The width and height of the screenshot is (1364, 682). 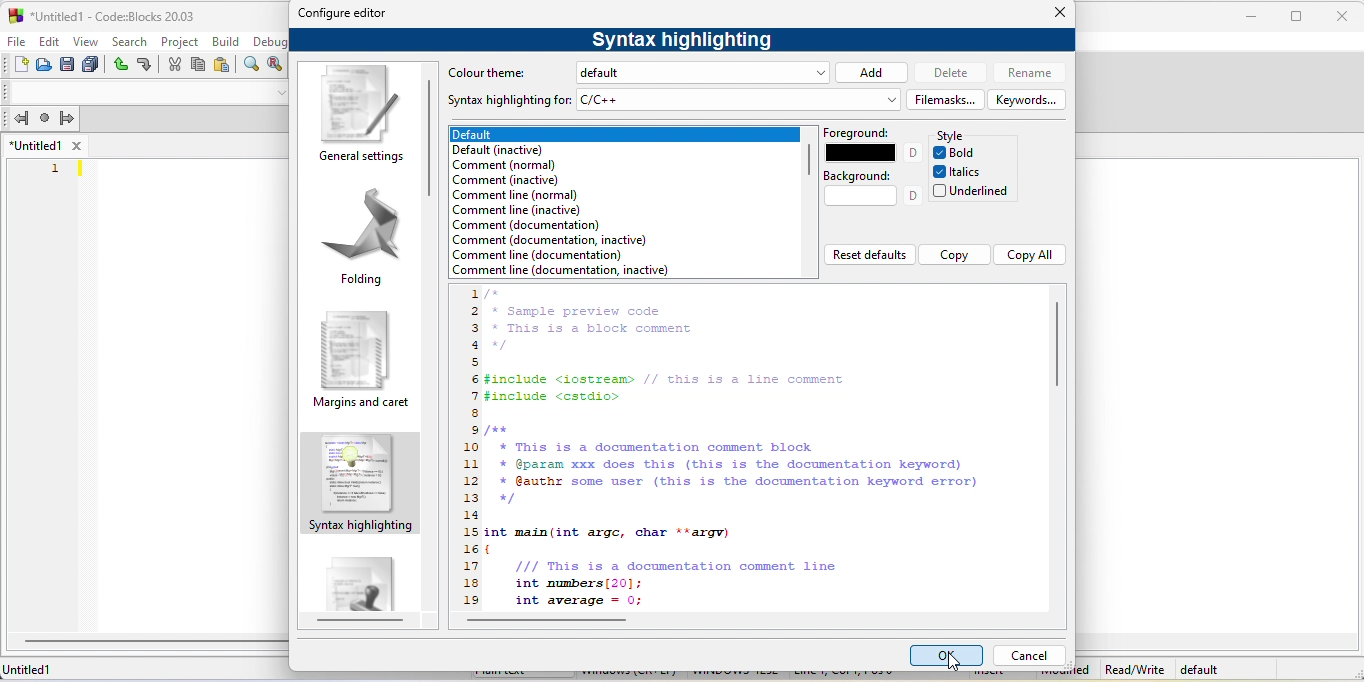 What do you see at coordinates (145, 64) in the screenshot?
I see `redo` at bounding box center [145, 64].